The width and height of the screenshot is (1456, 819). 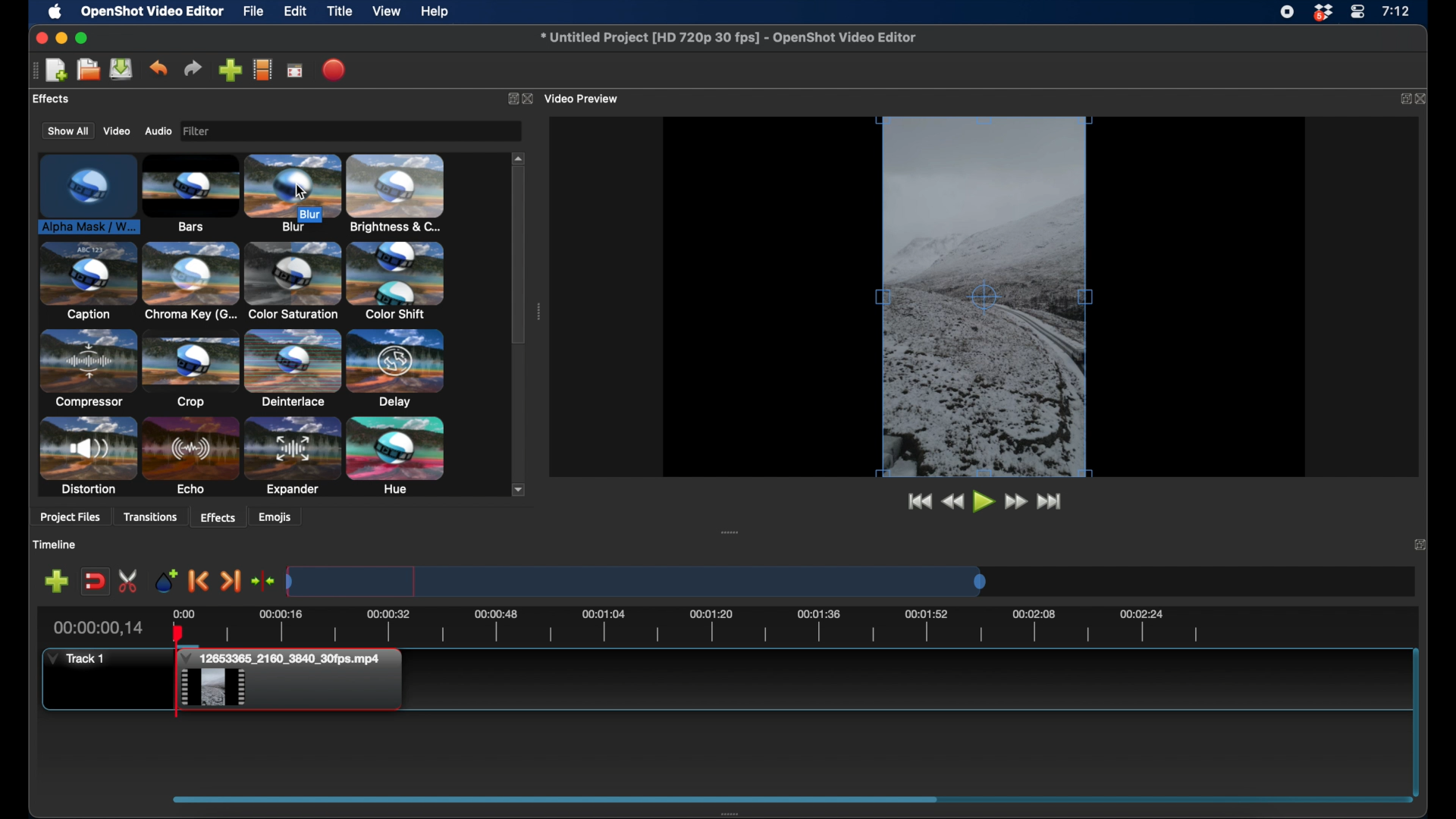 I want to click on video preview, so click(x=984, y=297).